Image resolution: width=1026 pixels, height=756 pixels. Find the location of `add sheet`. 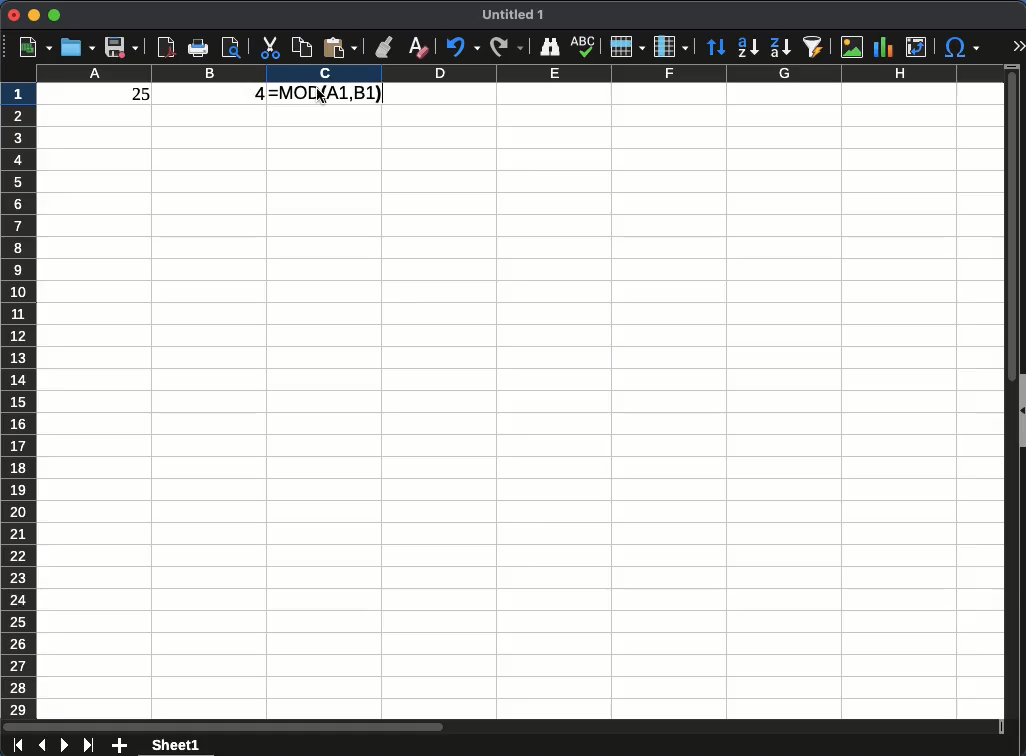

add sheet is located at coordinates (121, 745).